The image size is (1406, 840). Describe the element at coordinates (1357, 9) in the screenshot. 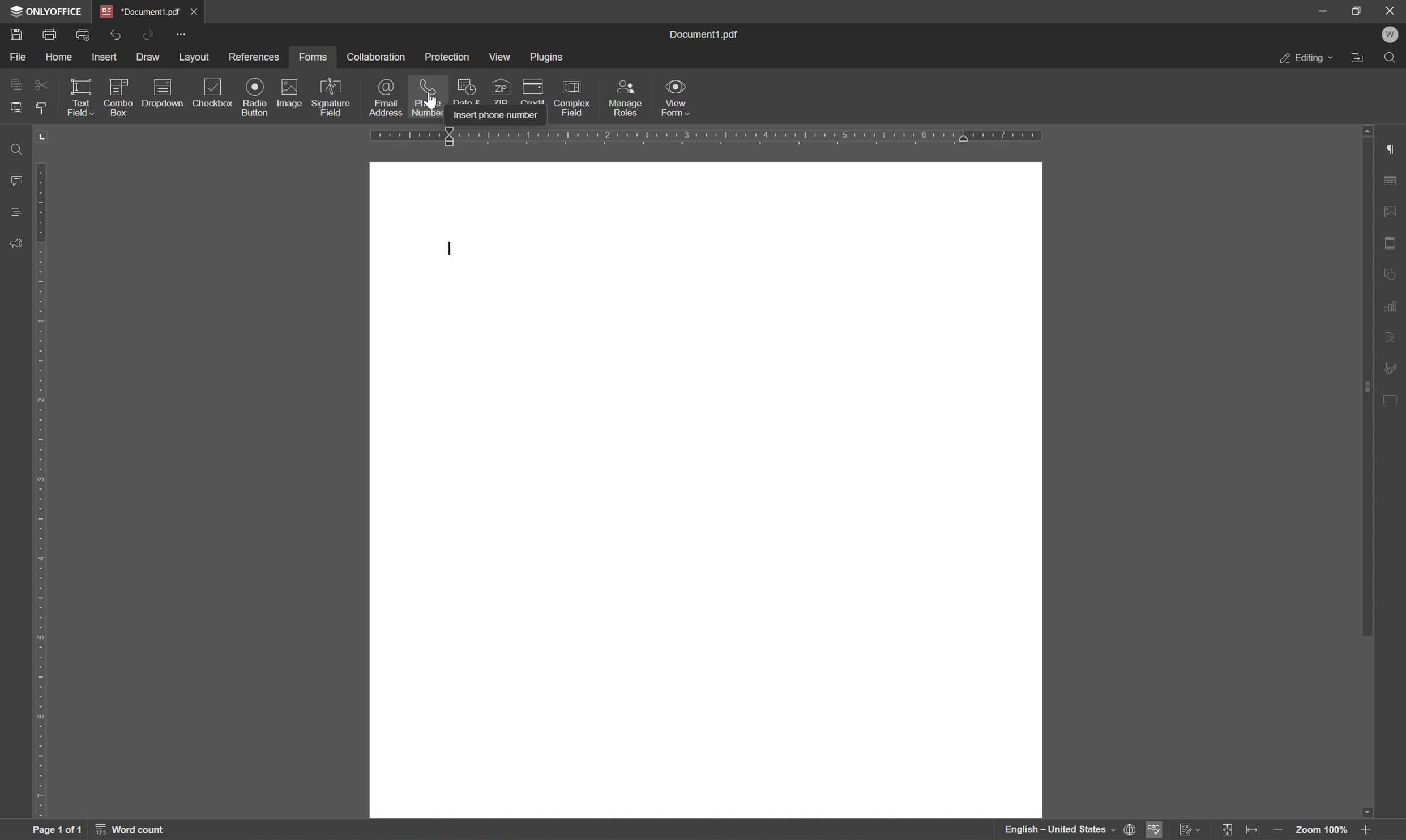

I see `restore down` at that location.